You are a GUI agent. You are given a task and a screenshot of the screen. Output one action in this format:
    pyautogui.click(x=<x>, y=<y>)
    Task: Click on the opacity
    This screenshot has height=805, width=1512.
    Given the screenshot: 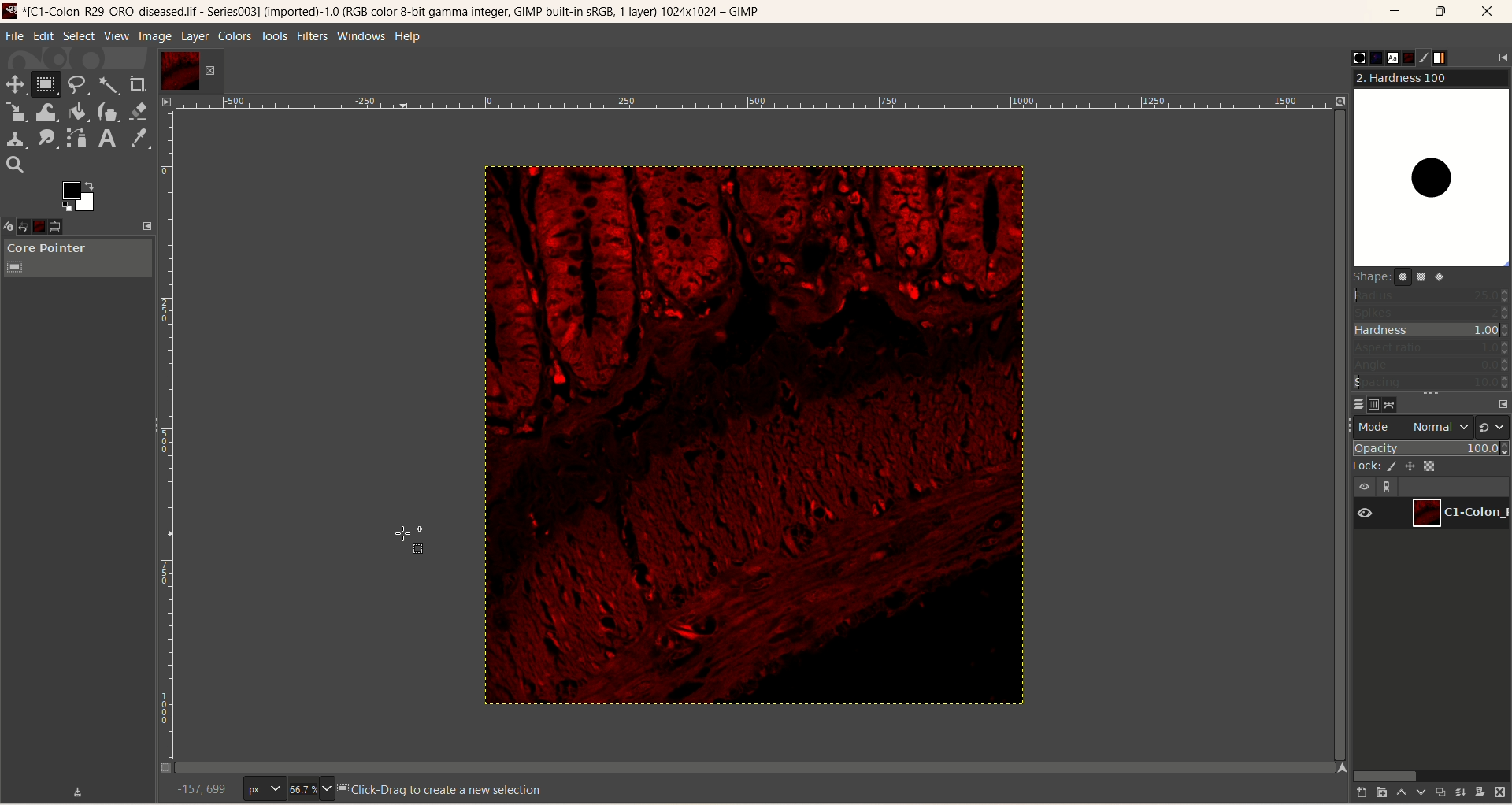 What is the action you would take?
    pyautogui.click(x=1432, y=447)
    